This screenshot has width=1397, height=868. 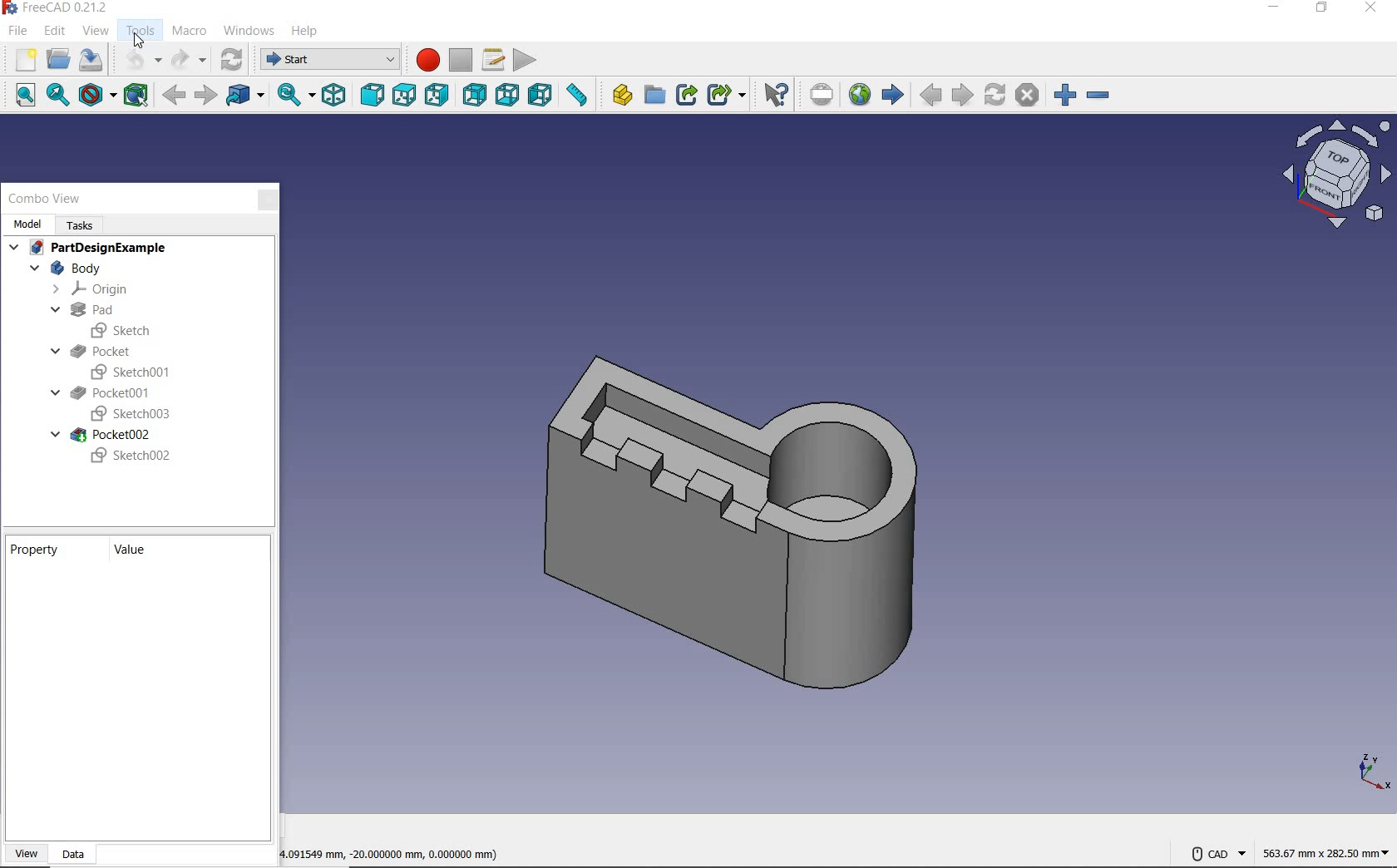 What do you see at coordinates (965, 96) in the screenshot?
I see `Next page` at bounding box center [965, 96].